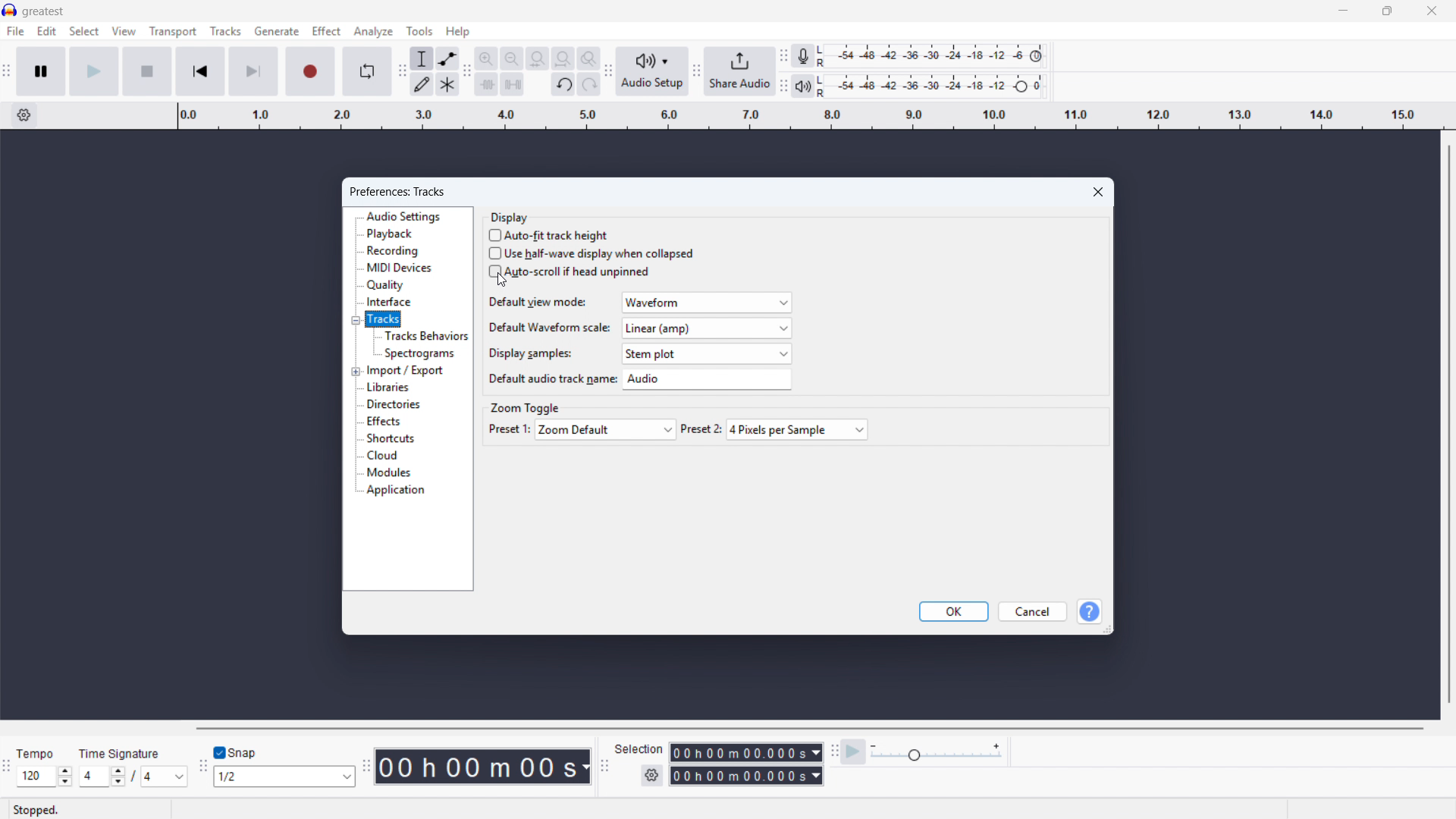 This screenshot has height=819, width=1456. I want to click on Vertical scroll bar , so click(1449, 424).